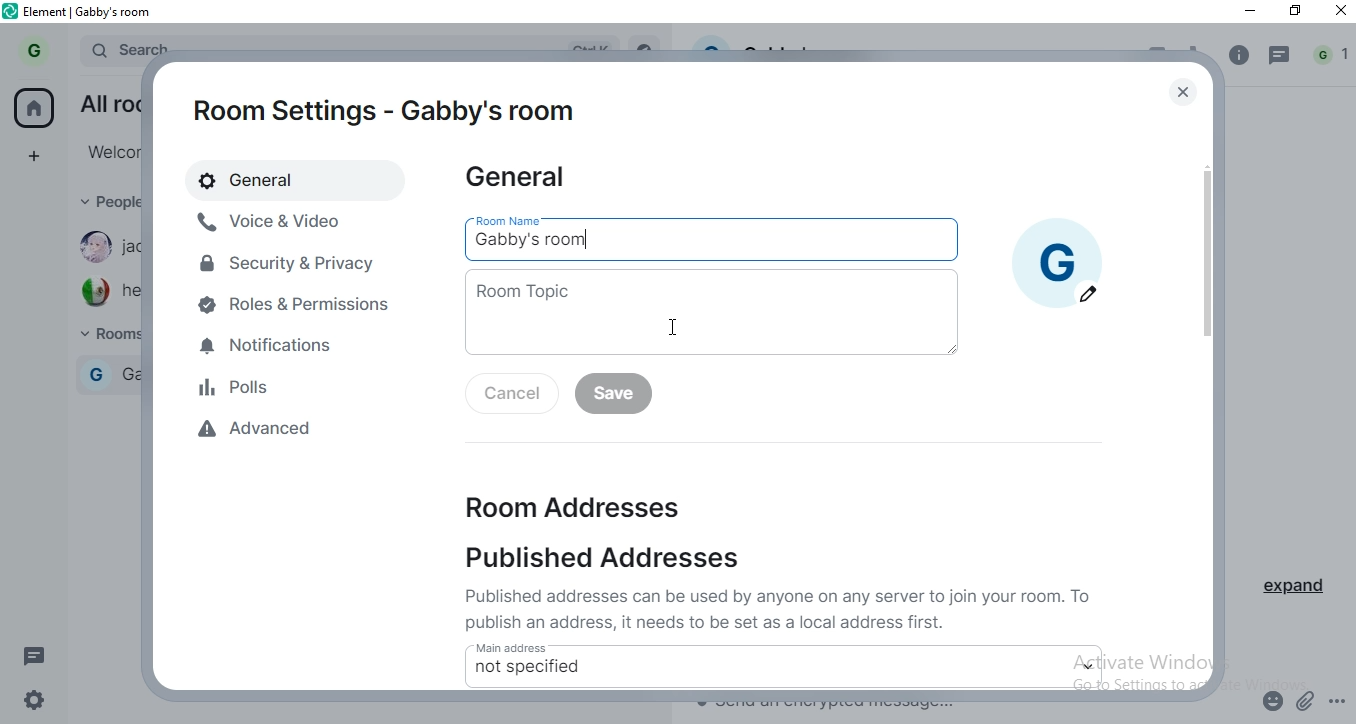 The width and height of the screenshot is (1356, 724). What do you see at coordinates (507, 395) in the screenshot?
I see `cancel` at bounding box center [507, 395].